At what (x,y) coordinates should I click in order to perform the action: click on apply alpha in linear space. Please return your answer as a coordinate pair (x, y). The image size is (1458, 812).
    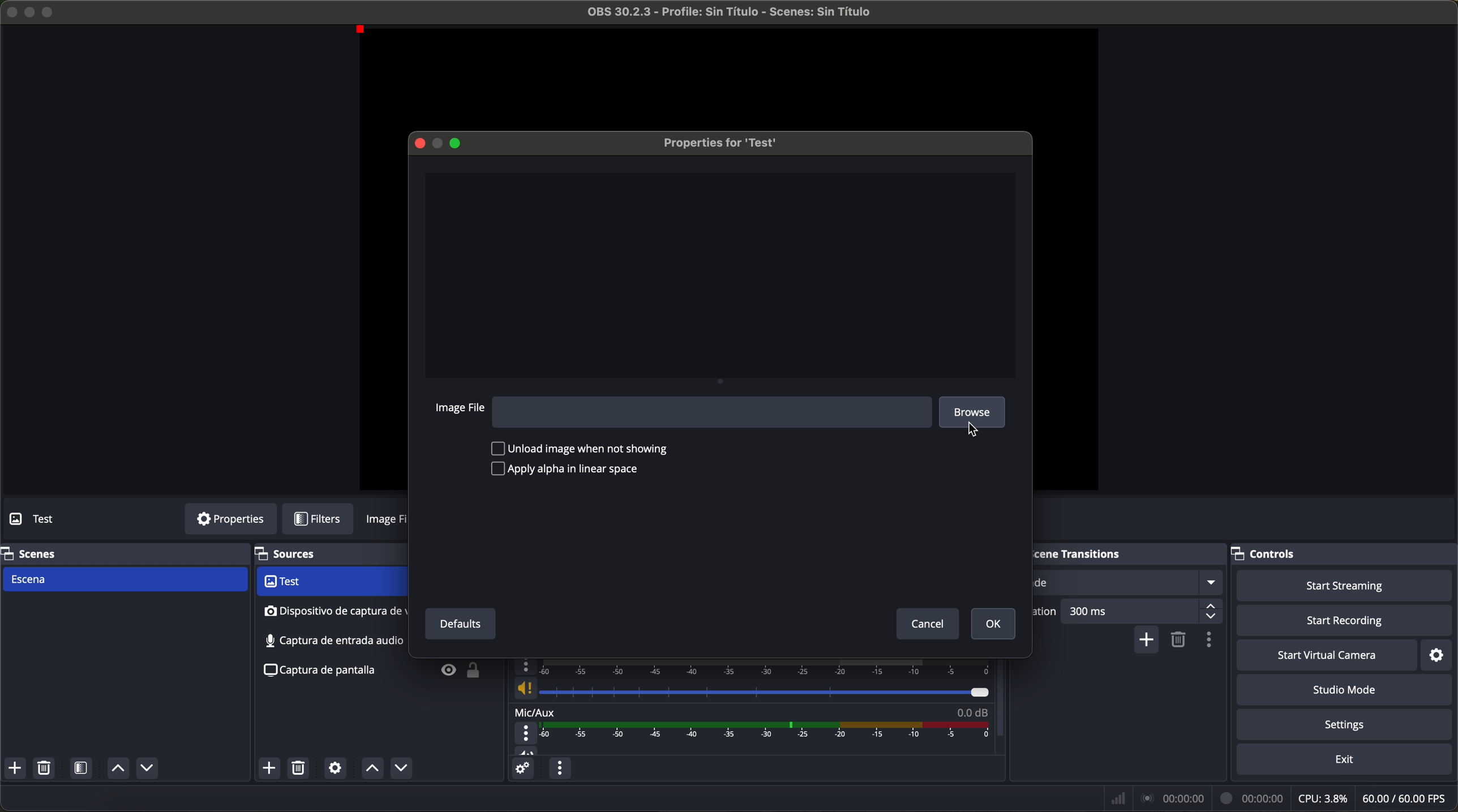
    Looking at the image, I should click on (565, 470).